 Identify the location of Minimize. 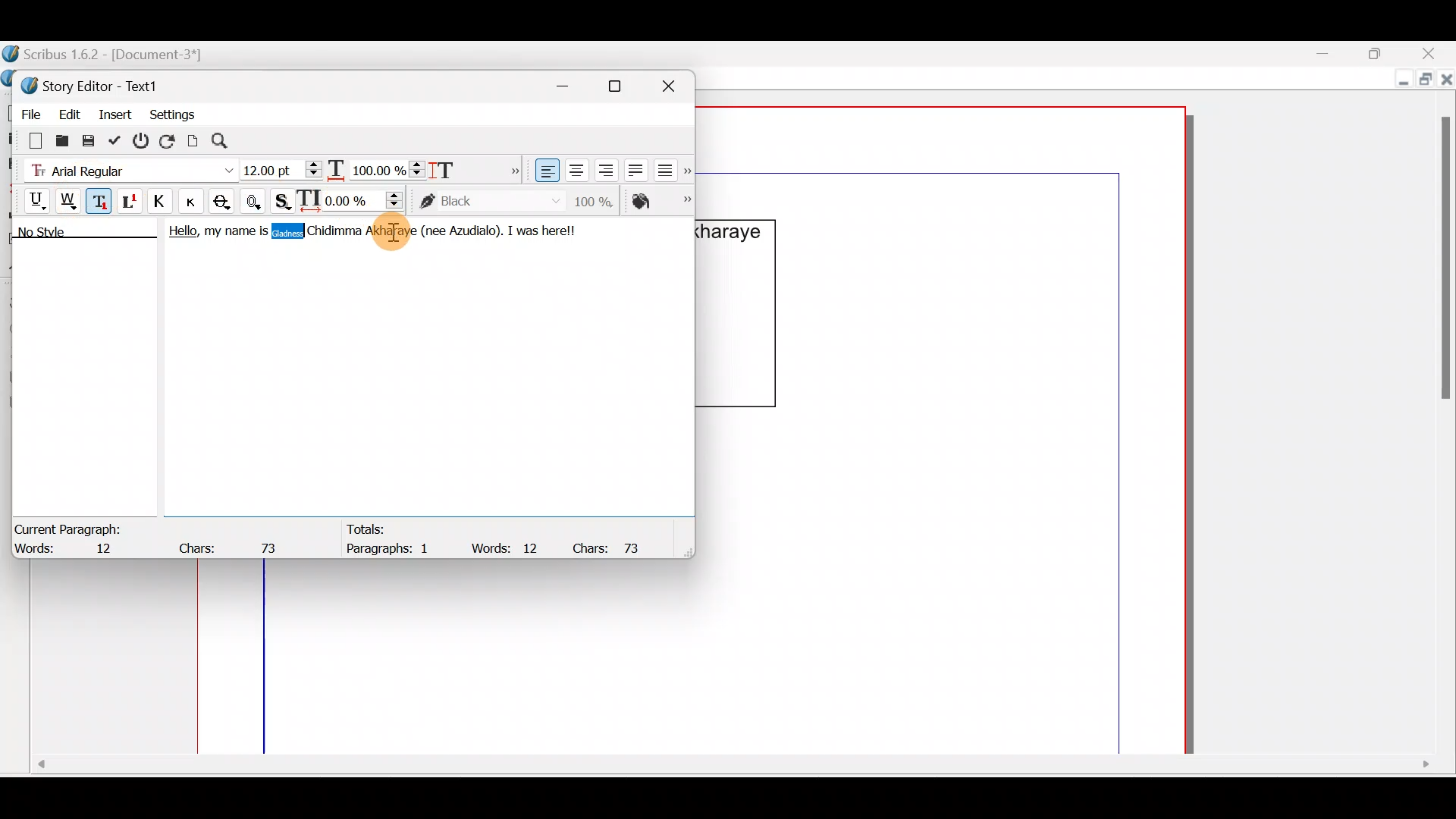
(571, 83).